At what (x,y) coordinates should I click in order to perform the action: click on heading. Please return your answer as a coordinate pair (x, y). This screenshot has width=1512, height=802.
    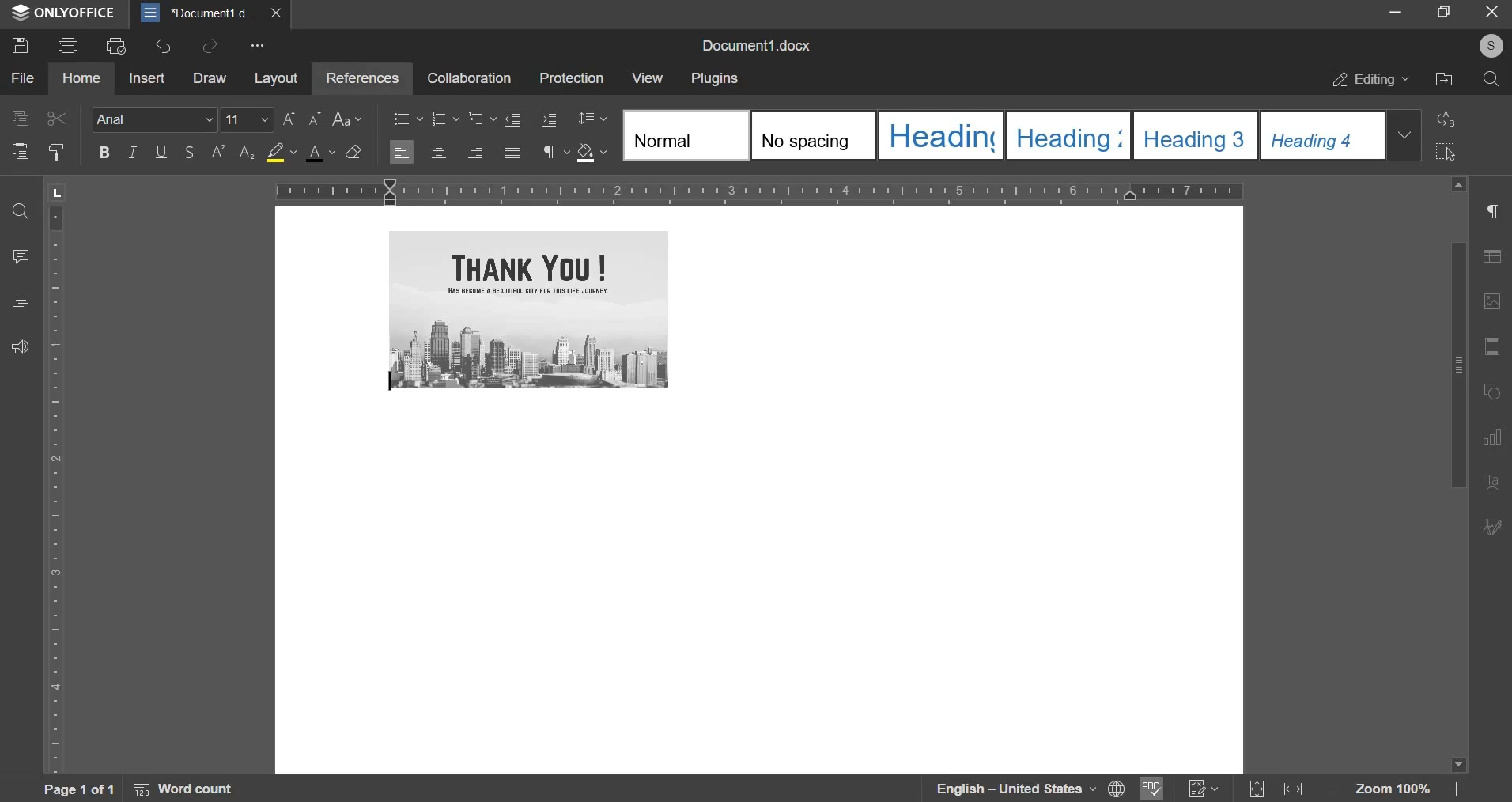
    Looking at the image, I should click on (21, 301).